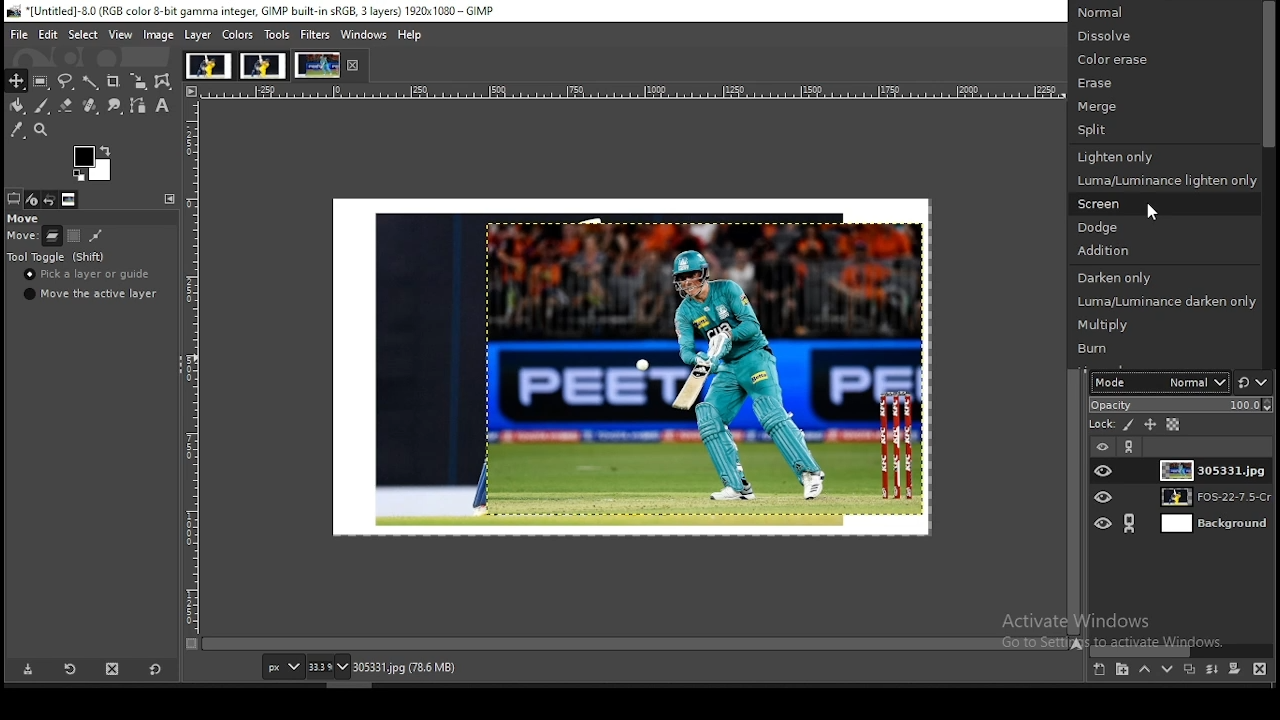 This screenshot has width=1280, height=720. What do you see at coordinates (155, 671) in the screenshot?
I see `reset to defaults` at bounding box center [155, 671].